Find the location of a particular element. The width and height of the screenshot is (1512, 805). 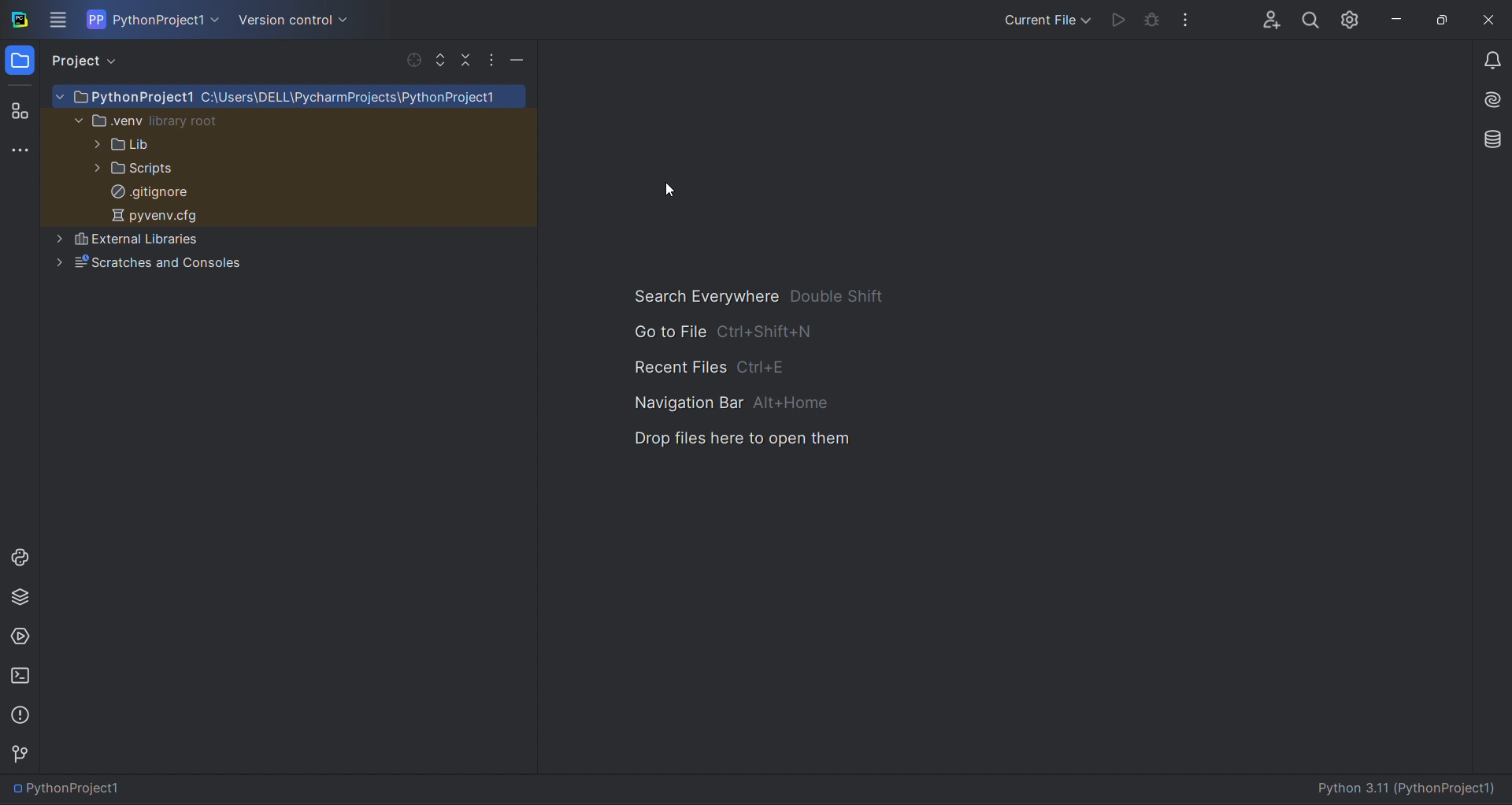

add user is located at coordinates (1266, 19).